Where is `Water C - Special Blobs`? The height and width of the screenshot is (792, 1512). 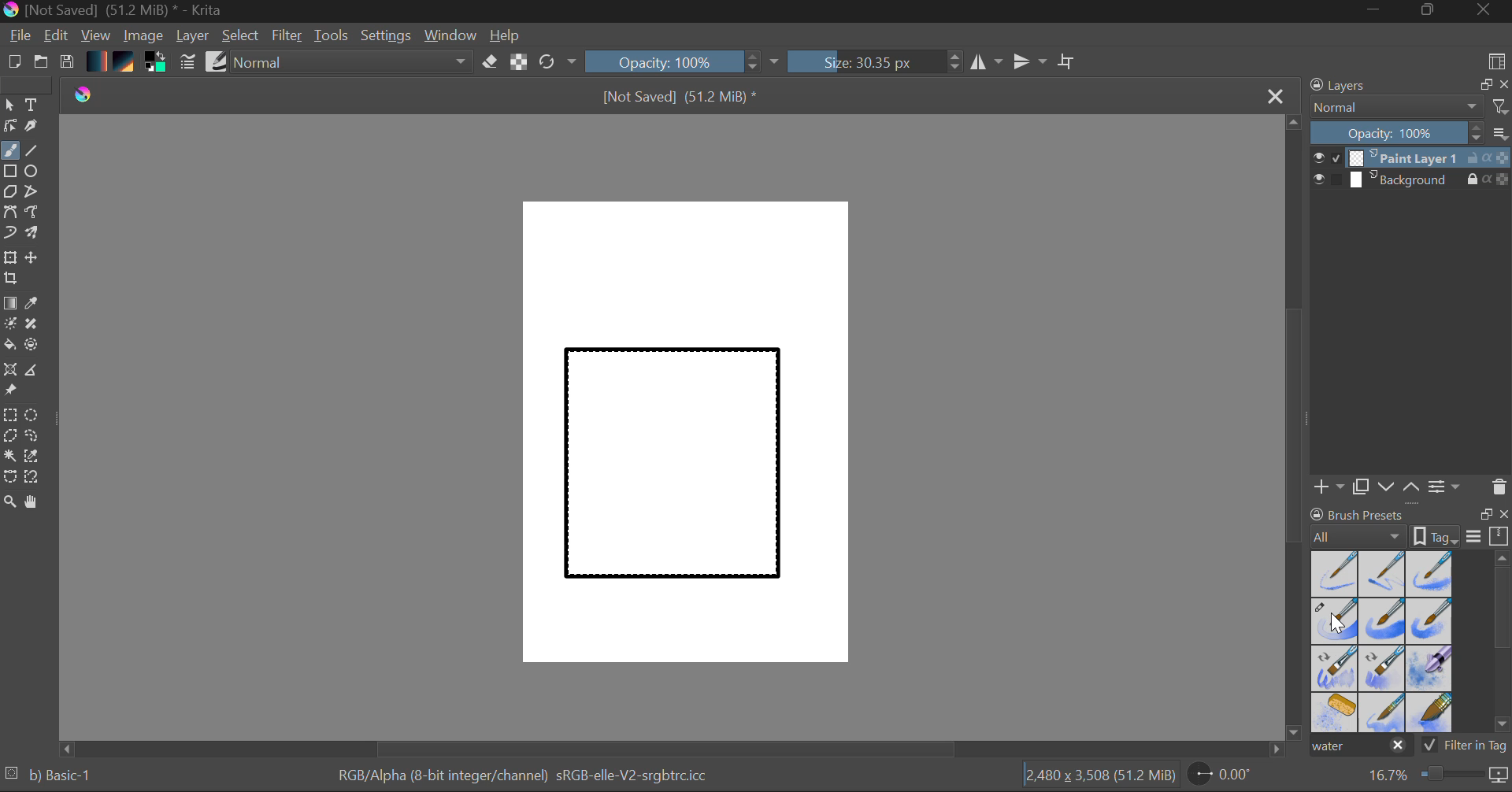
Water C - Special Blobs is located at coordinates (1430, 670).